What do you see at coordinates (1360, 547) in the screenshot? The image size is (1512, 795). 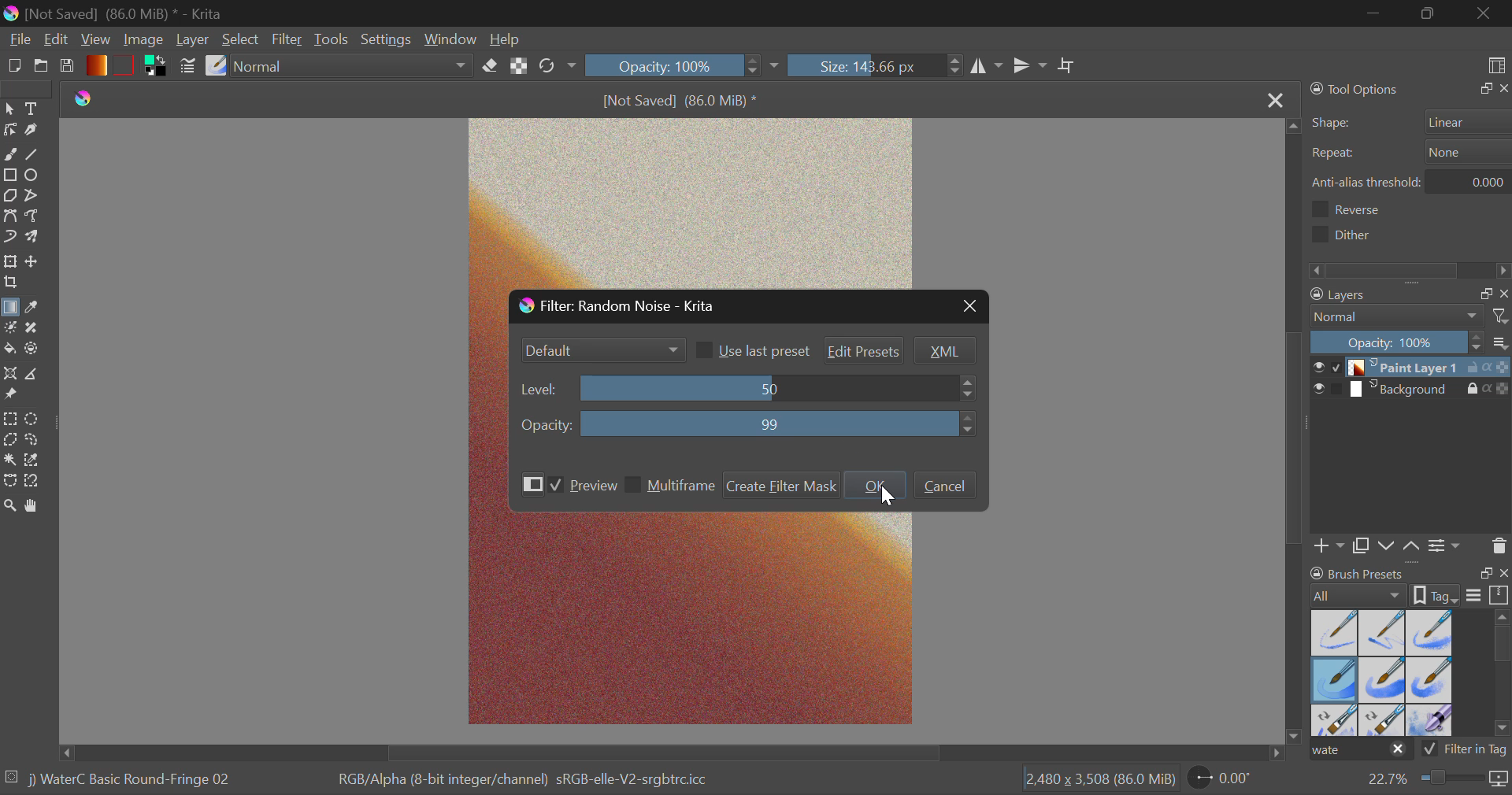 I see `copy` at bounding box center [1360, 547].